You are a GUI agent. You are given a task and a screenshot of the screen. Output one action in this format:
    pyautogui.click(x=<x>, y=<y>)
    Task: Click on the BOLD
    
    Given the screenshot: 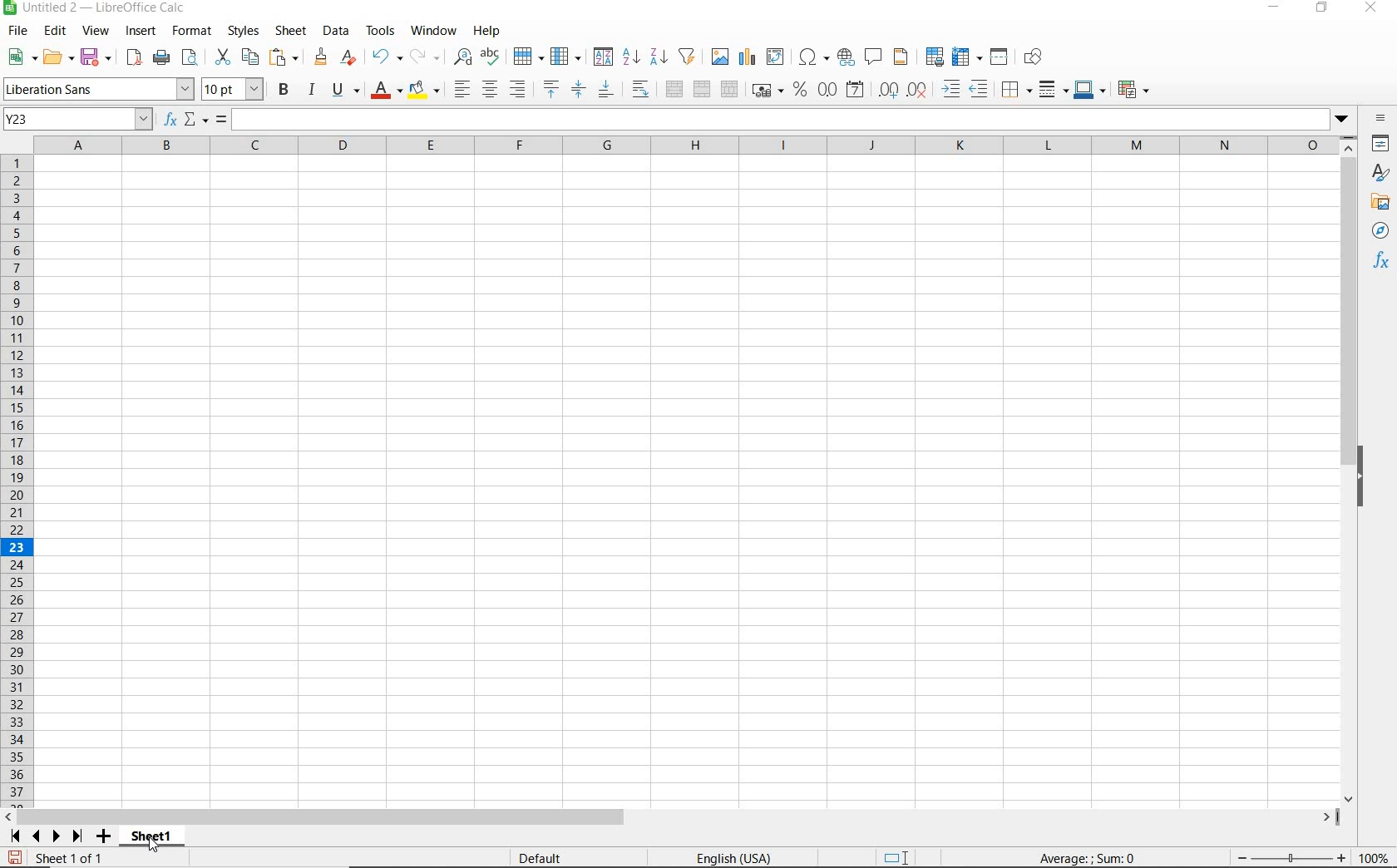 What is the action you would take?
    pyautogui.click(x=284, y=91)
    